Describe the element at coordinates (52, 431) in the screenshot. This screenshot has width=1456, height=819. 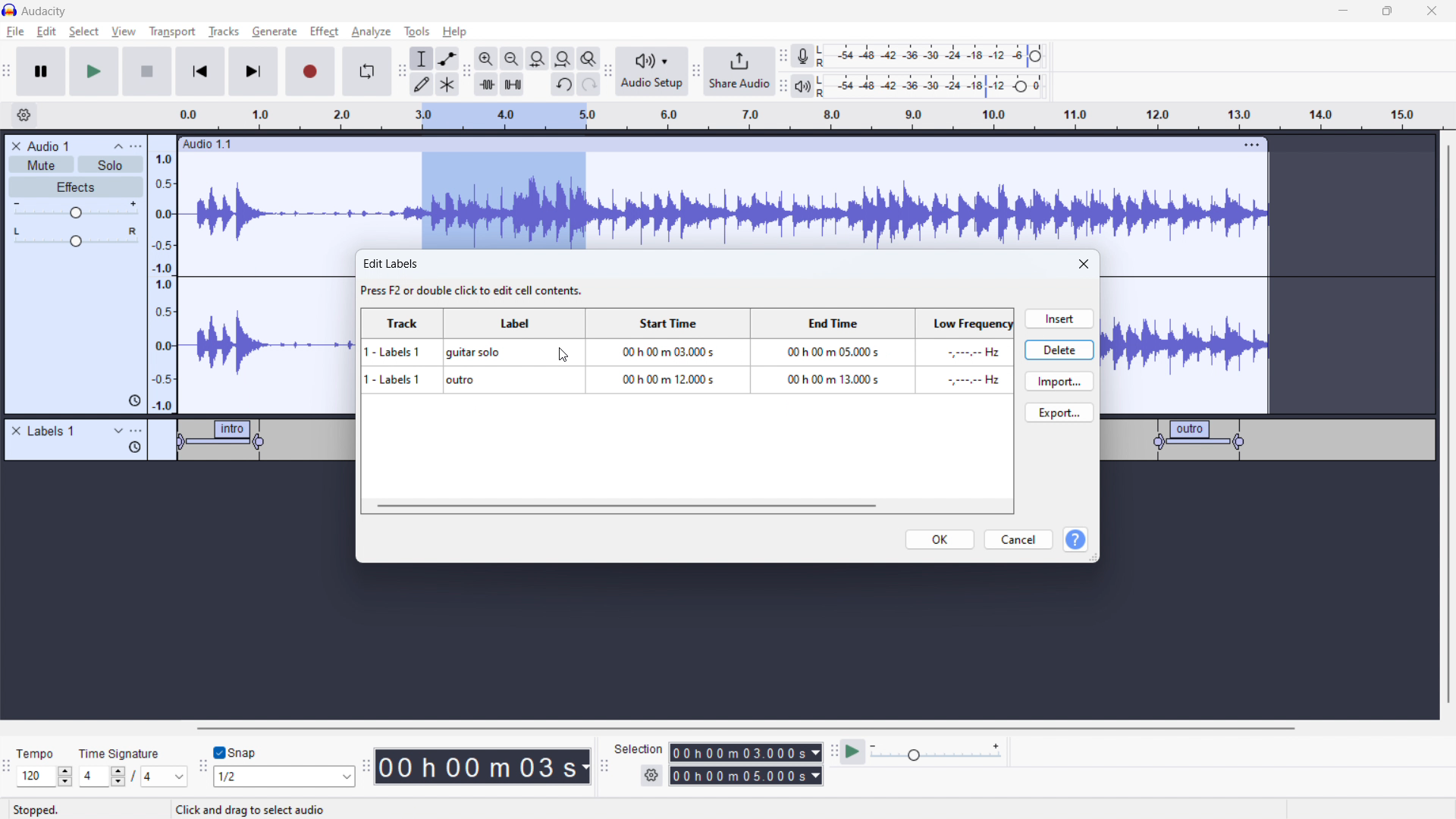
I see `labels` at that location.